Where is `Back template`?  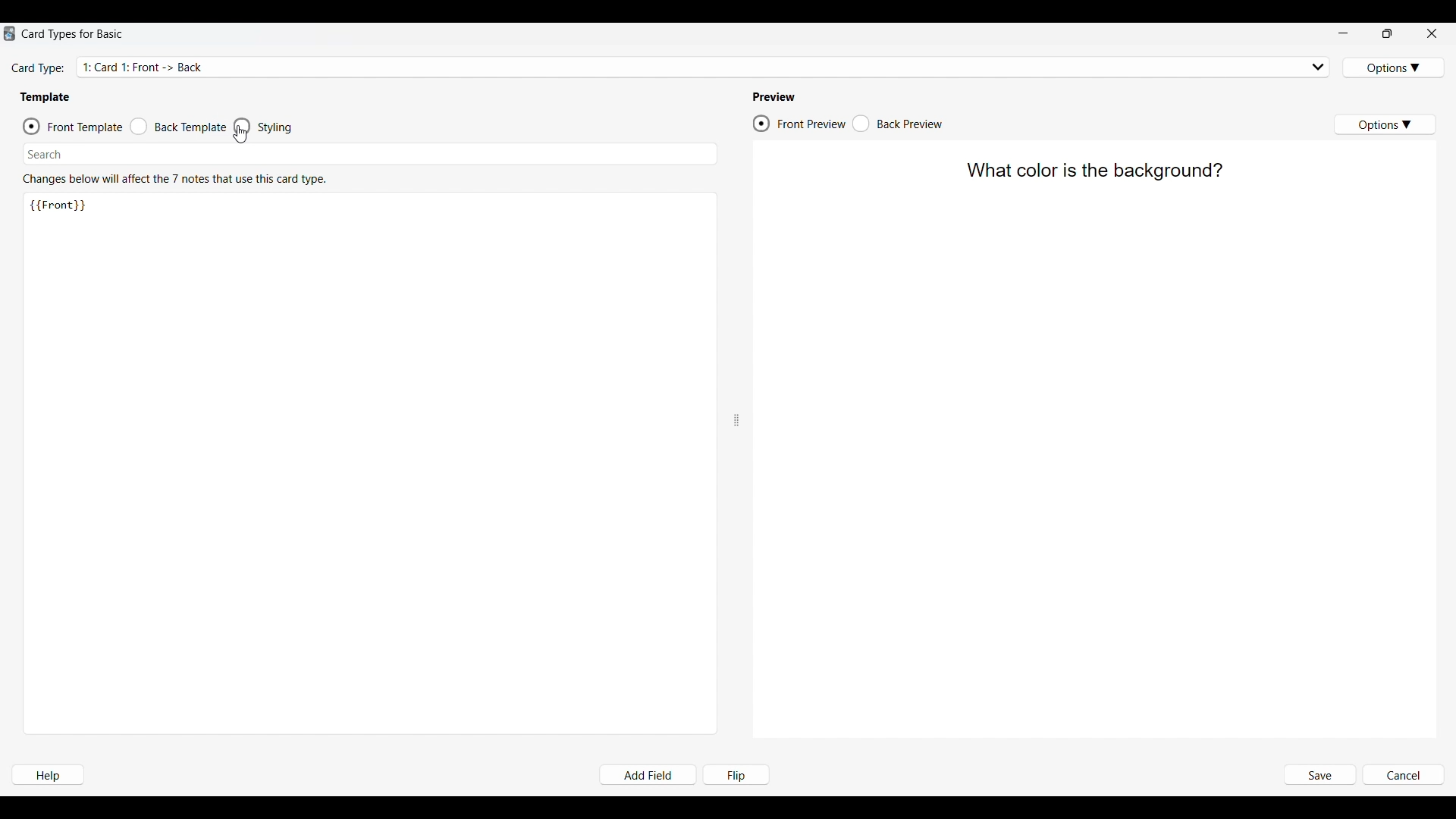
Back template is located at coordinates (178, 127).